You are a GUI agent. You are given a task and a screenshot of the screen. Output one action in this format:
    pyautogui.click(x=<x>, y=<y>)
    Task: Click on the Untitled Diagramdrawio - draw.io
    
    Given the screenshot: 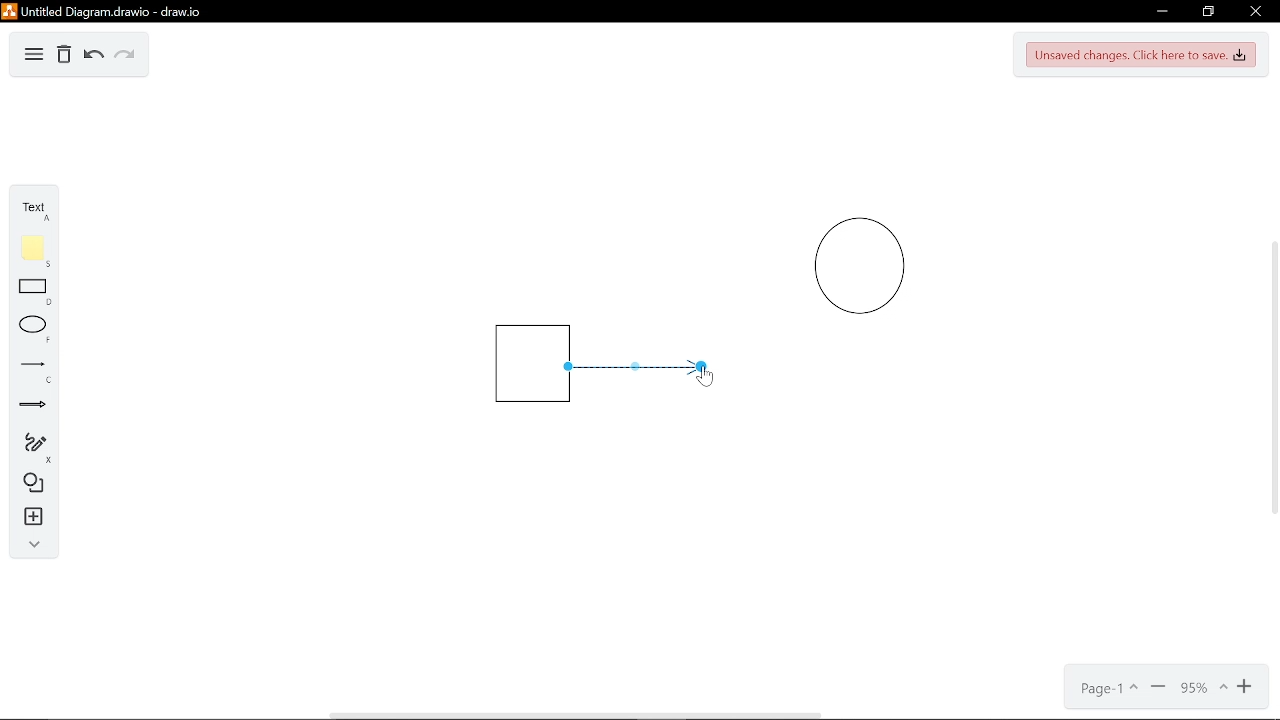 What is the action you would take?
    pyautogui.click(x=104, y=11)
    